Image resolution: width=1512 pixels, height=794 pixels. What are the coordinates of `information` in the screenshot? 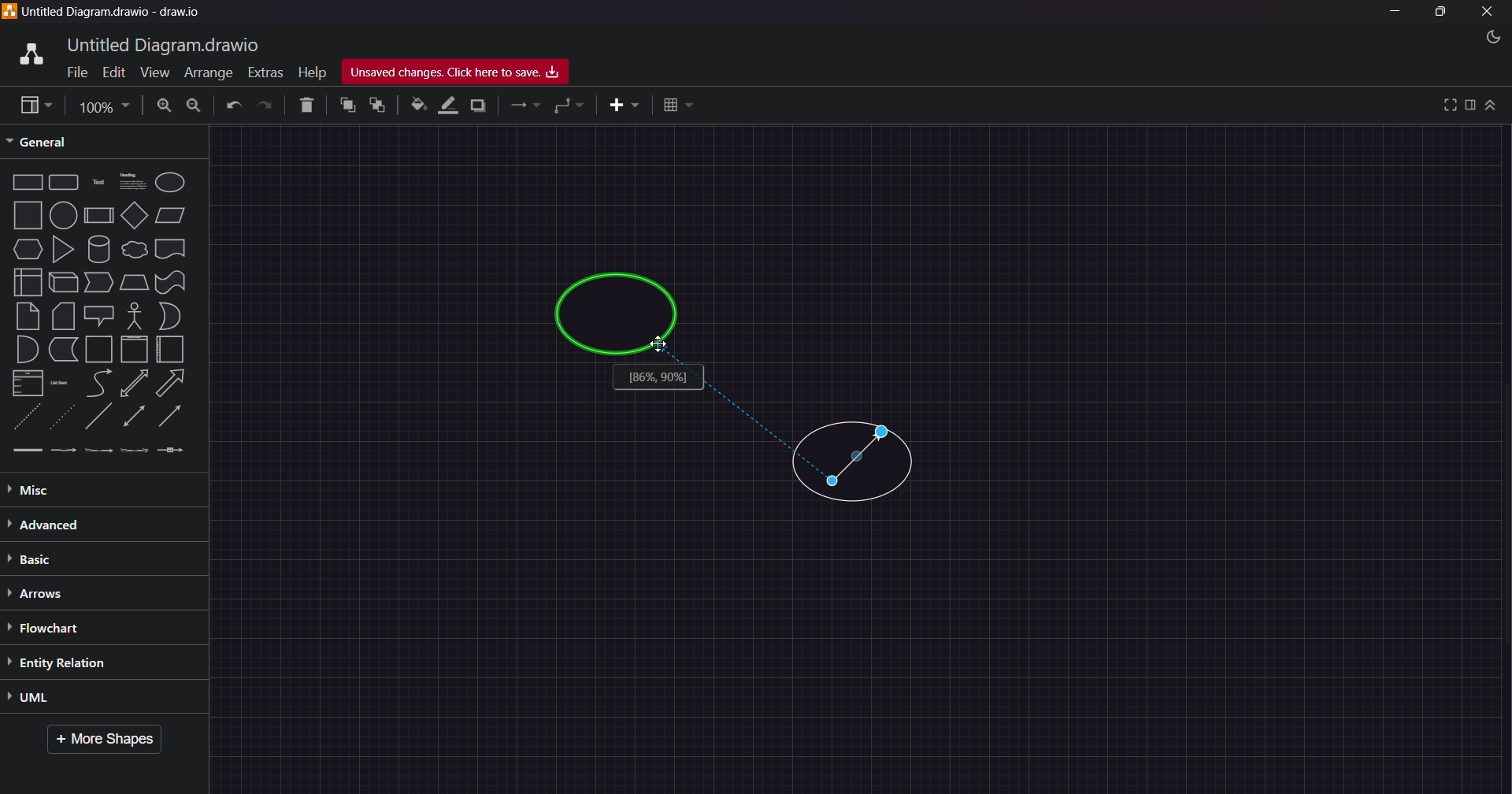 It's located at (659, 378).